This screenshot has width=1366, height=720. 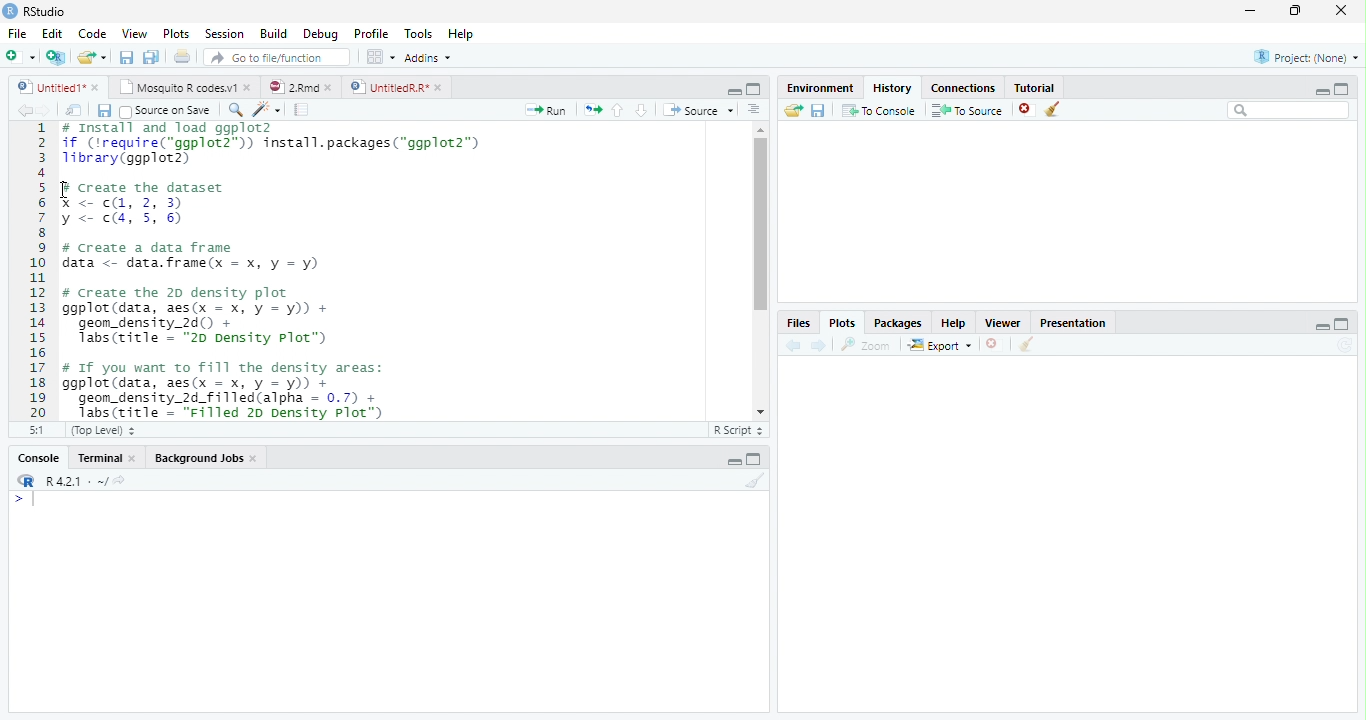 I want to click on Document outline, so click(x=754, y=111).